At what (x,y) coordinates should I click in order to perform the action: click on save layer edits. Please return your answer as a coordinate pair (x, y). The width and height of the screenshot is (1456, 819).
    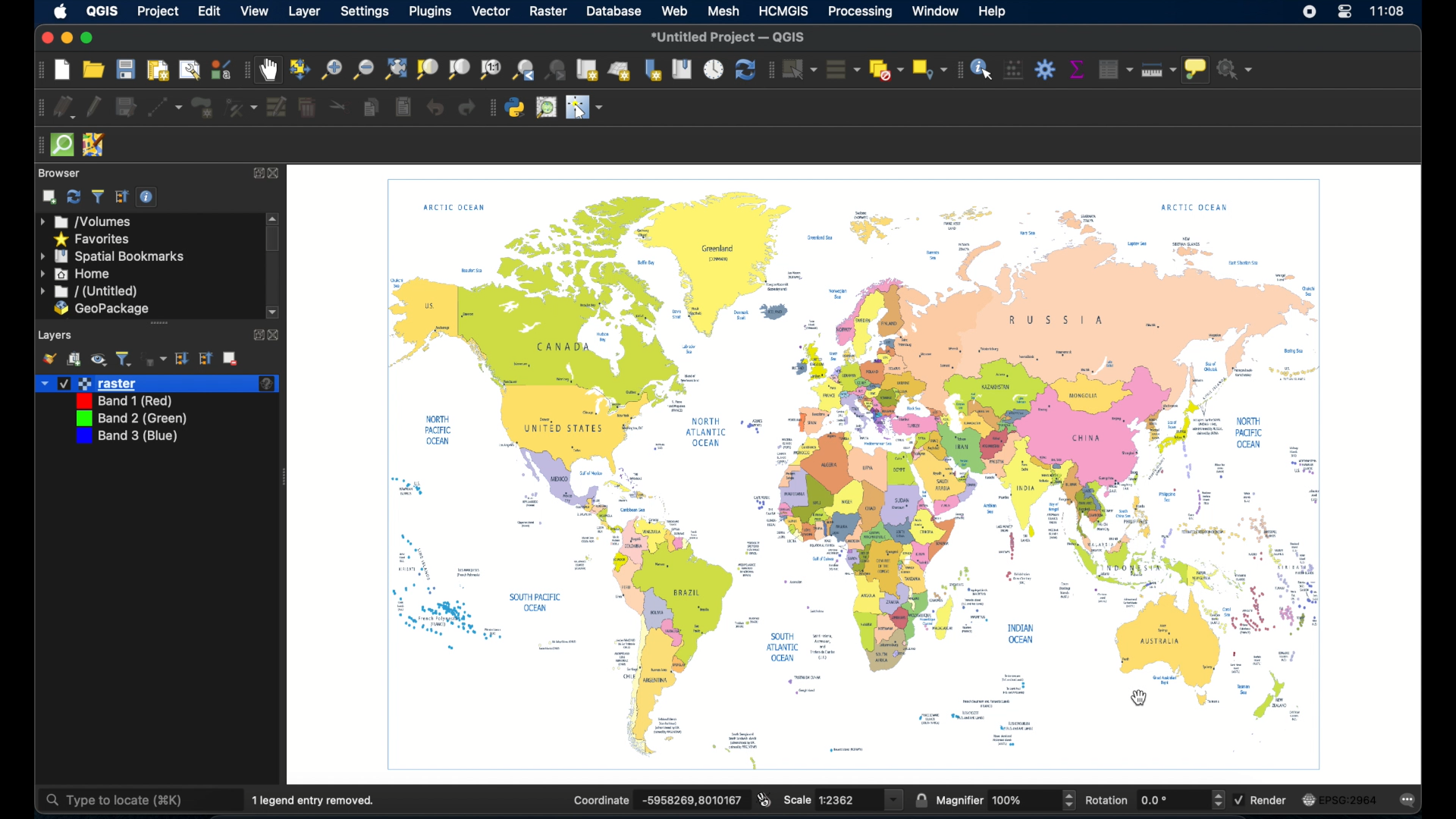
    Looking at the image, I should click on (125, 105).